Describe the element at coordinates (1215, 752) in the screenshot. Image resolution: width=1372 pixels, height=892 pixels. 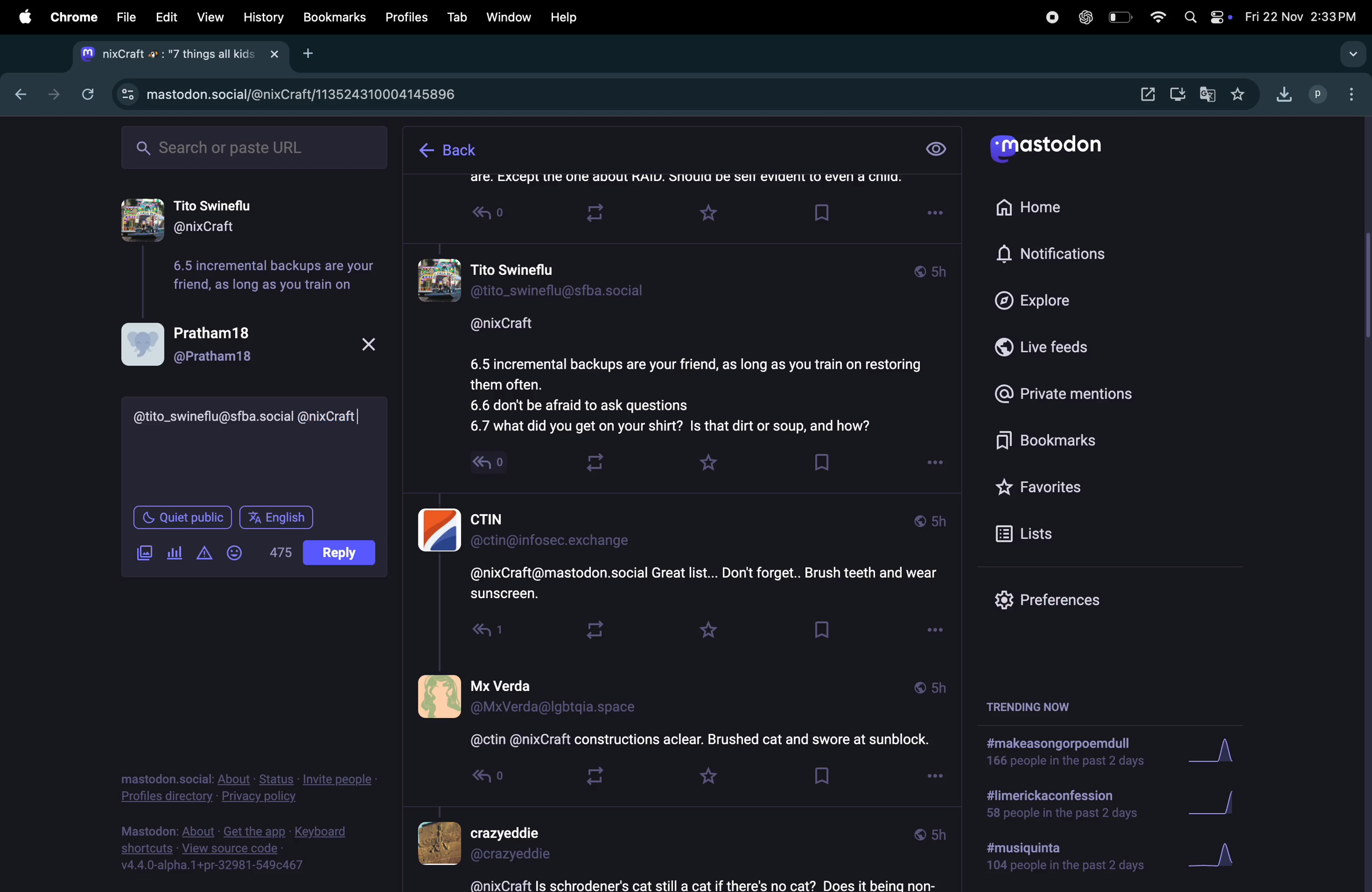
I see `graph` at that location.